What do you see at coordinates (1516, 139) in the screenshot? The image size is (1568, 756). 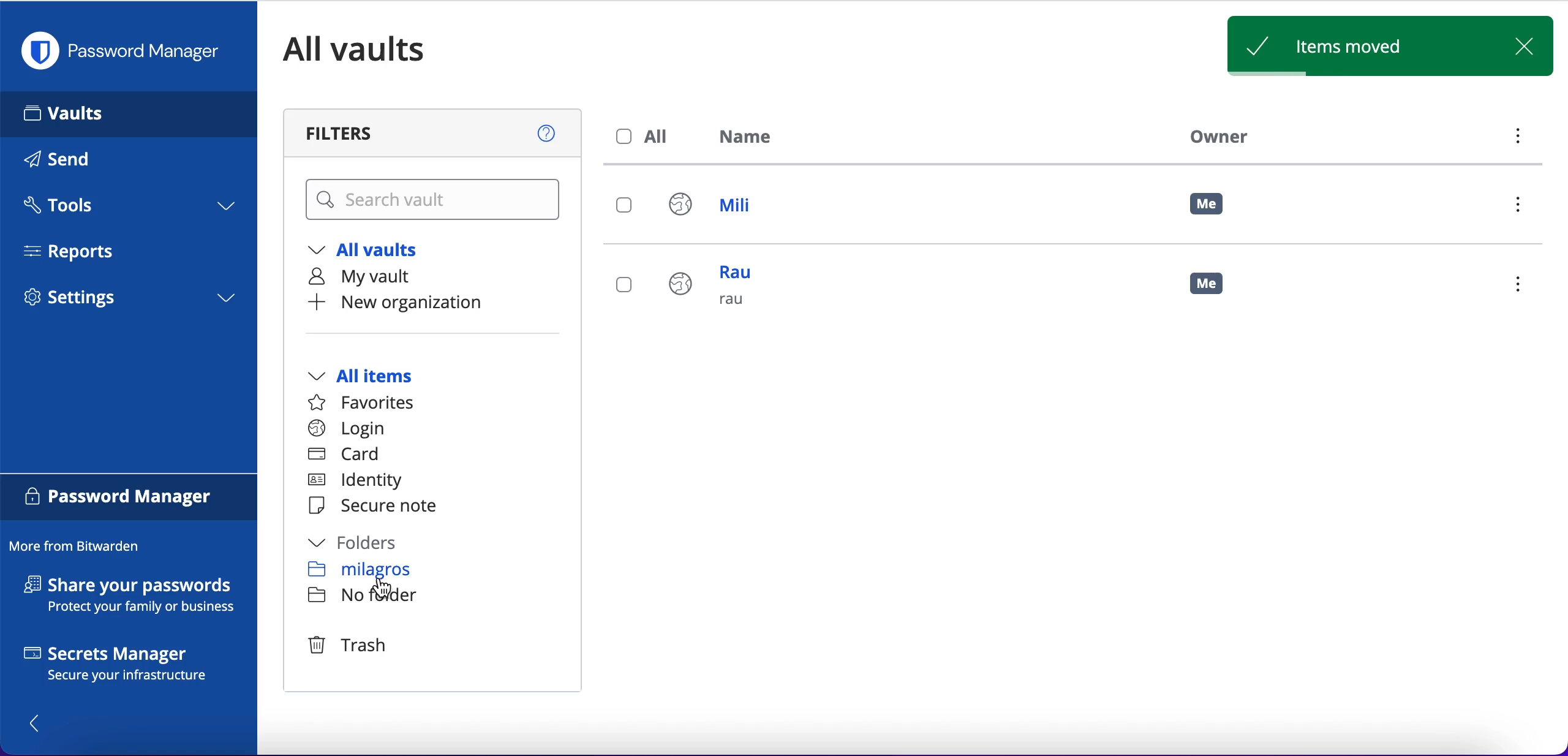 I see `menu` at bounding box center [1516, 139].